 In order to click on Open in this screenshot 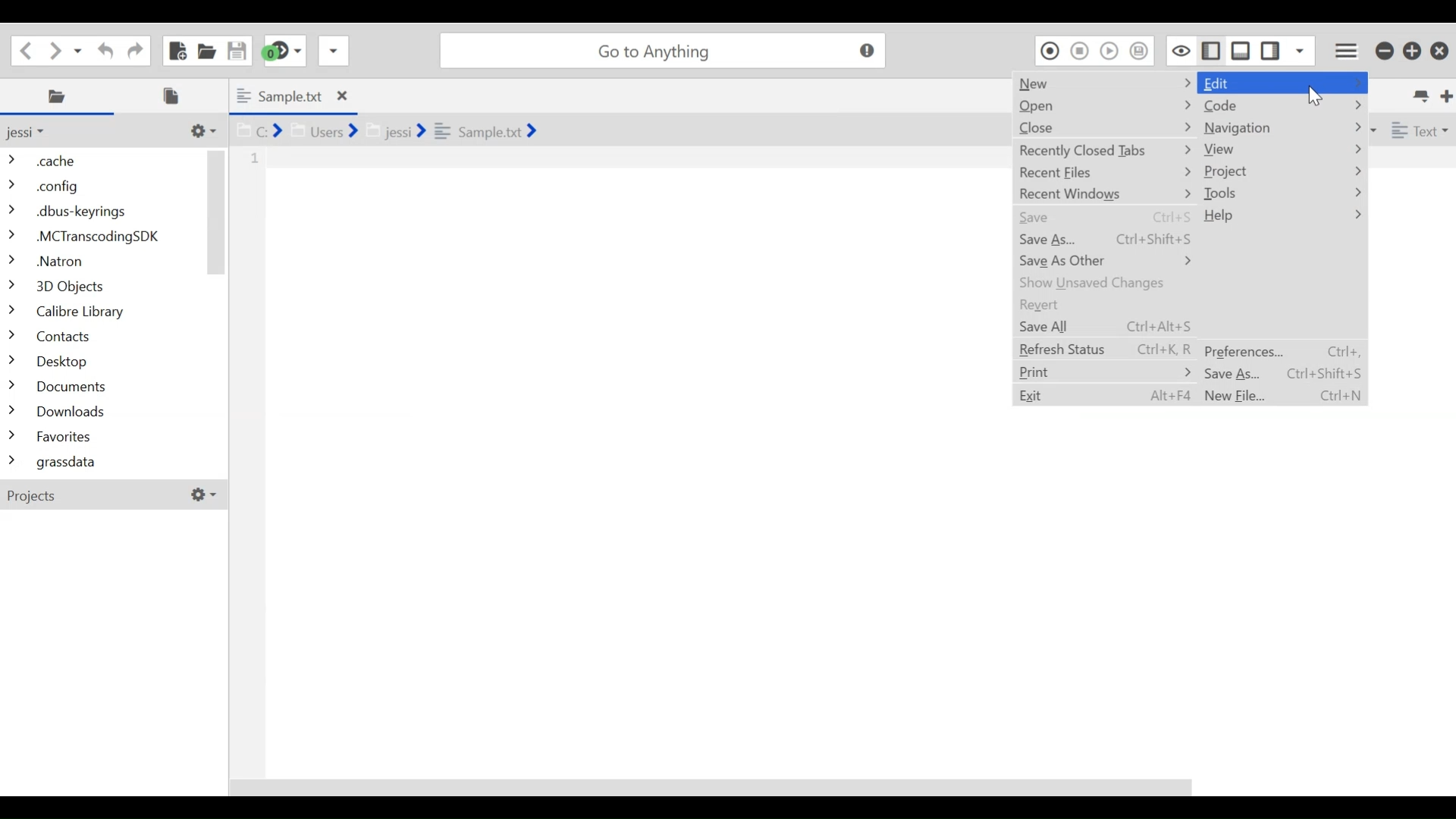, I will do `click(1103, 106)`.